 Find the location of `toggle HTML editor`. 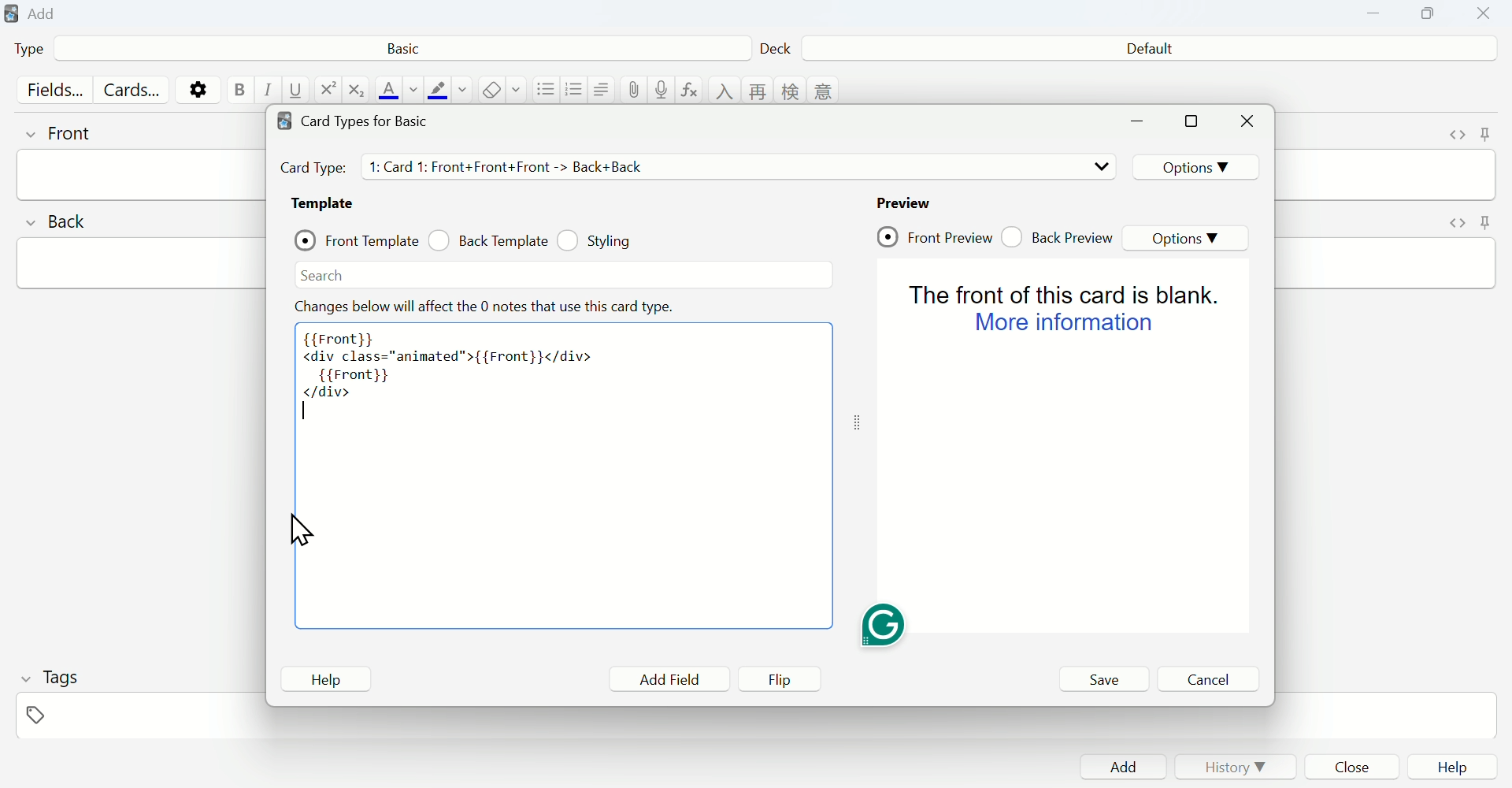

toggle HTML editor is located at coordinates (1458, 134).